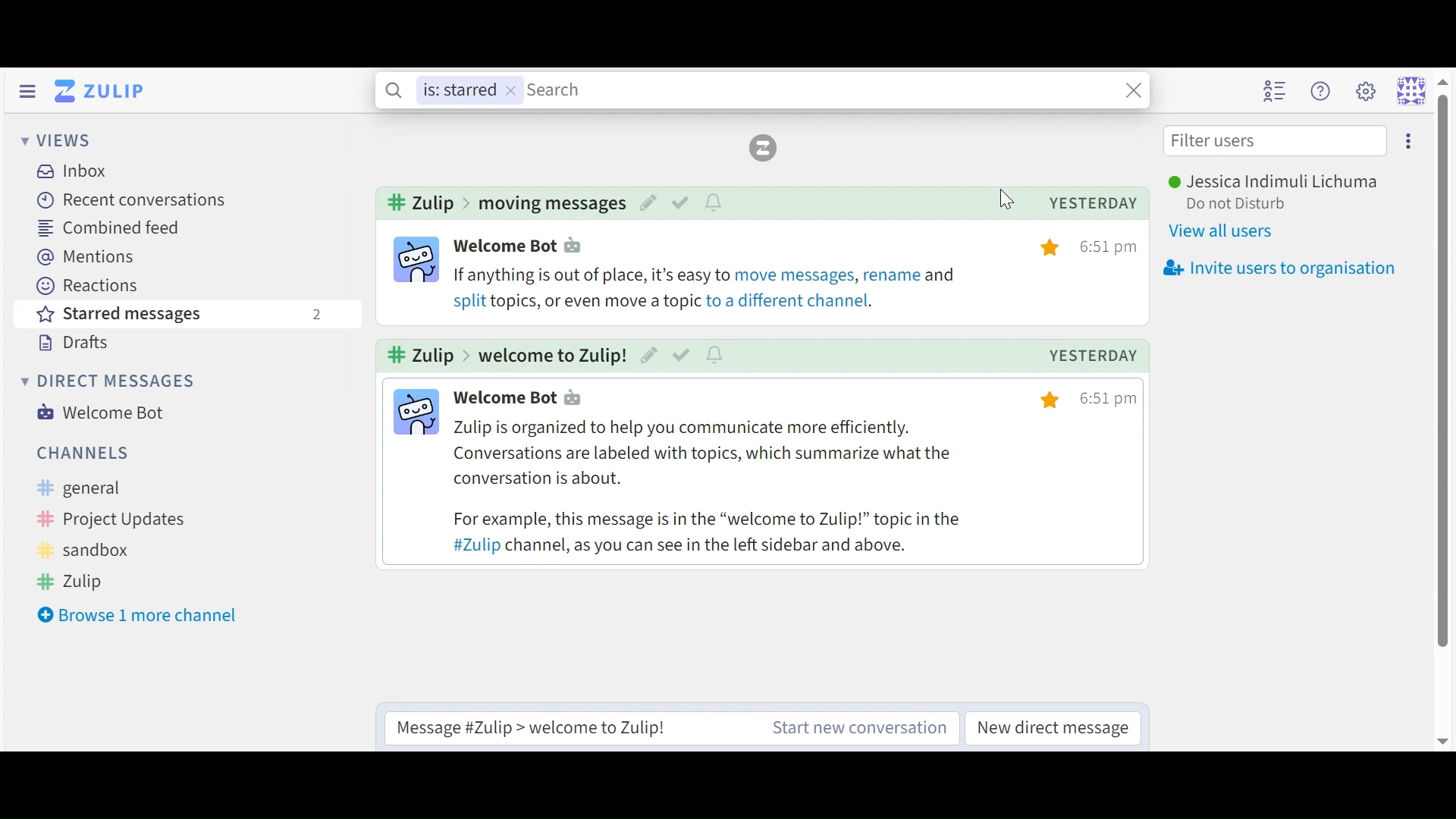  I want to click on Recent Conversations, so click(130, 199).